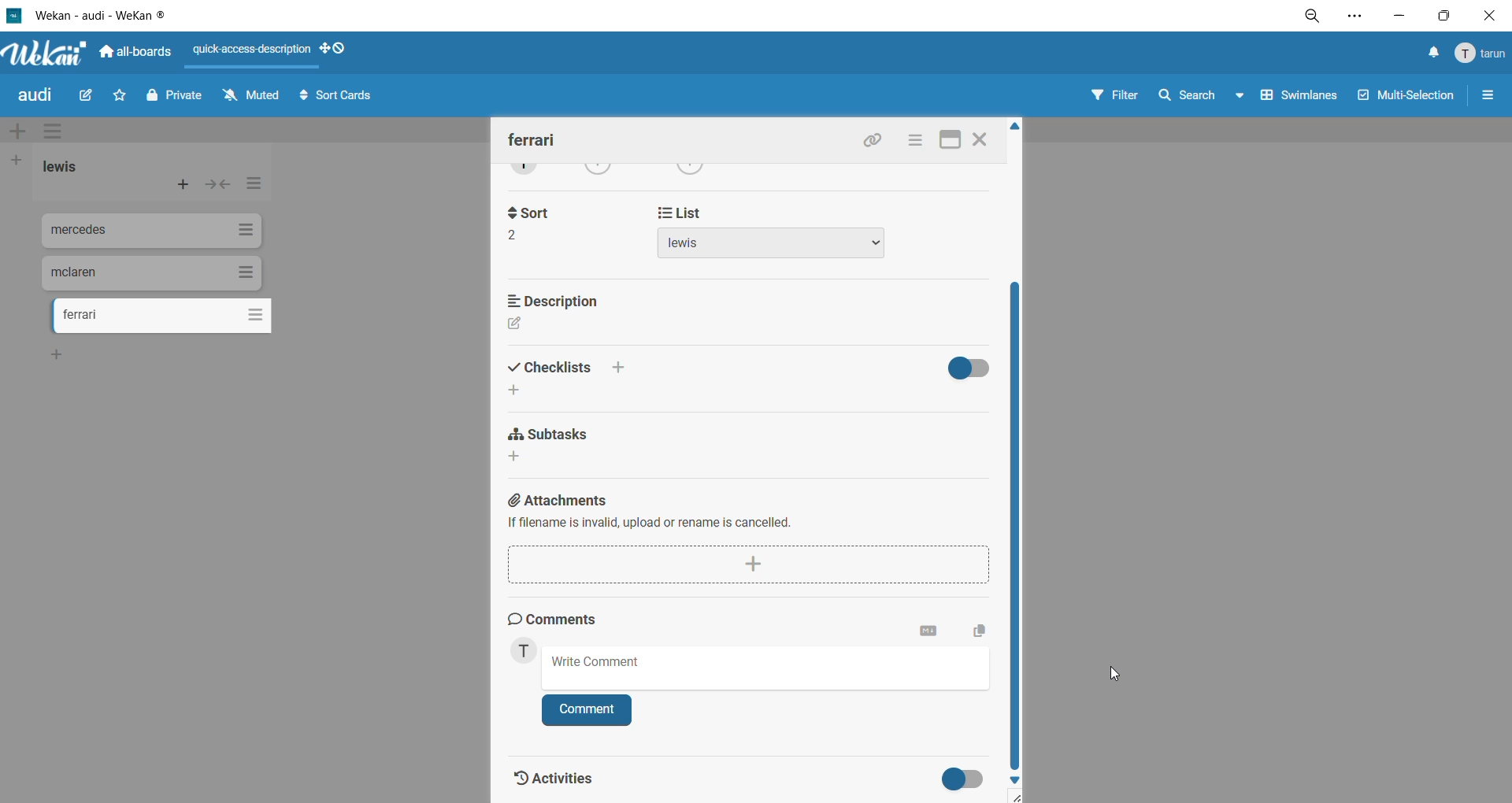 The width and height of the screenshot is (1512, 803). What do you see at coordinates (17, 128) in the screenshot?
I see `add swimlane` at bounding box center [17, 128].